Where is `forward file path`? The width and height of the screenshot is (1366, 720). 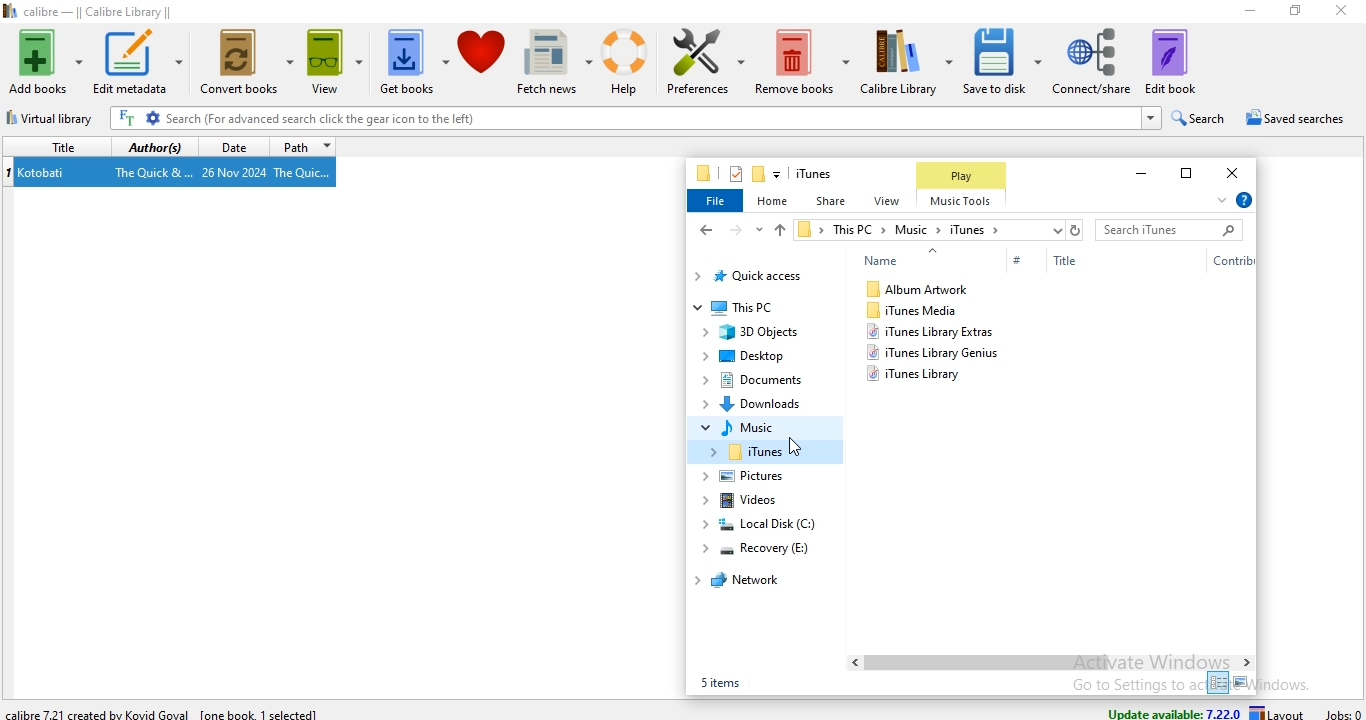
forward file path is located at coordinates (738, 231).